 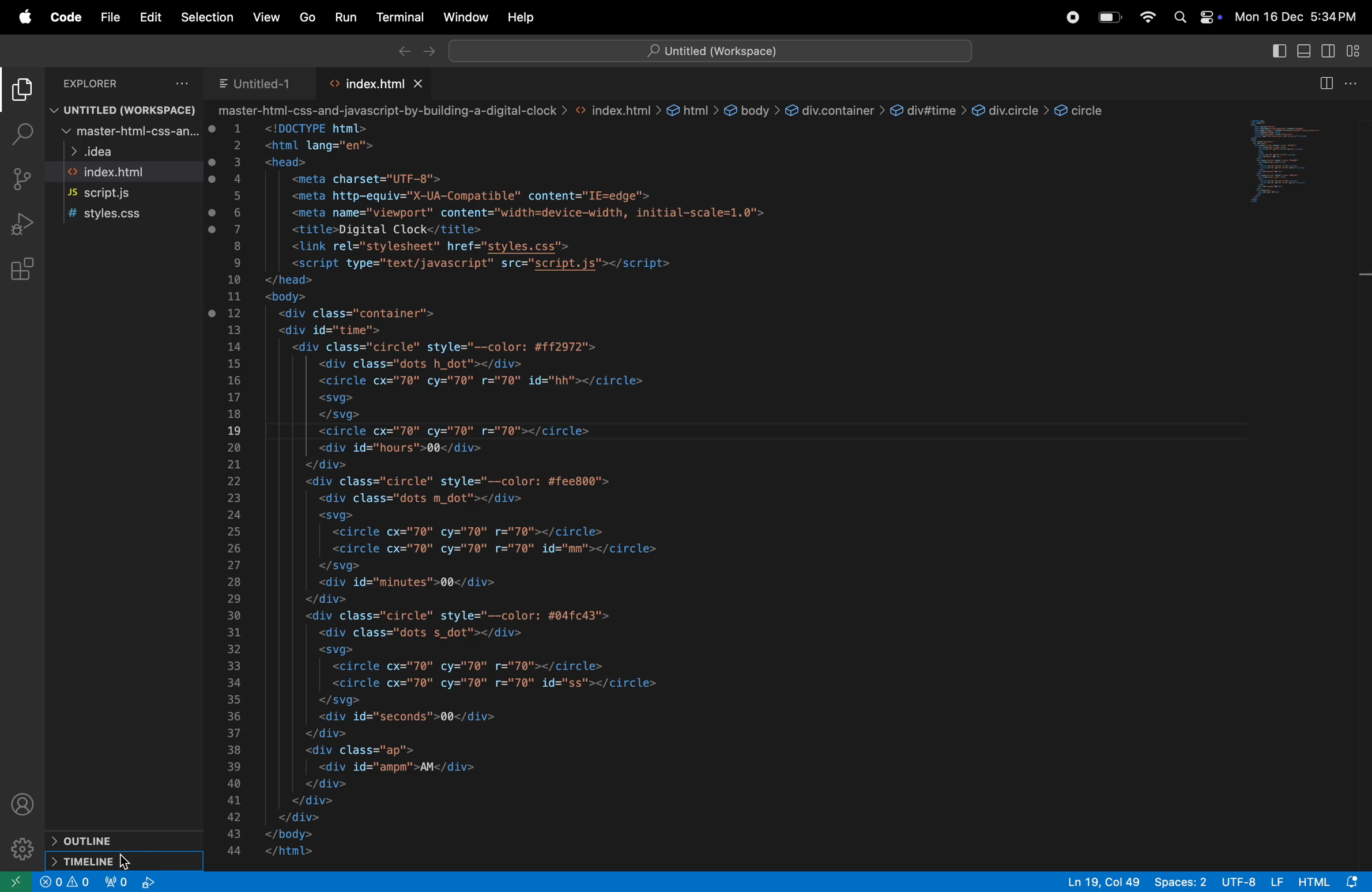 What do you see at coordinates (1329, 84) in the screenshot?
I see `split editor` at bounding box center [1329, 84].